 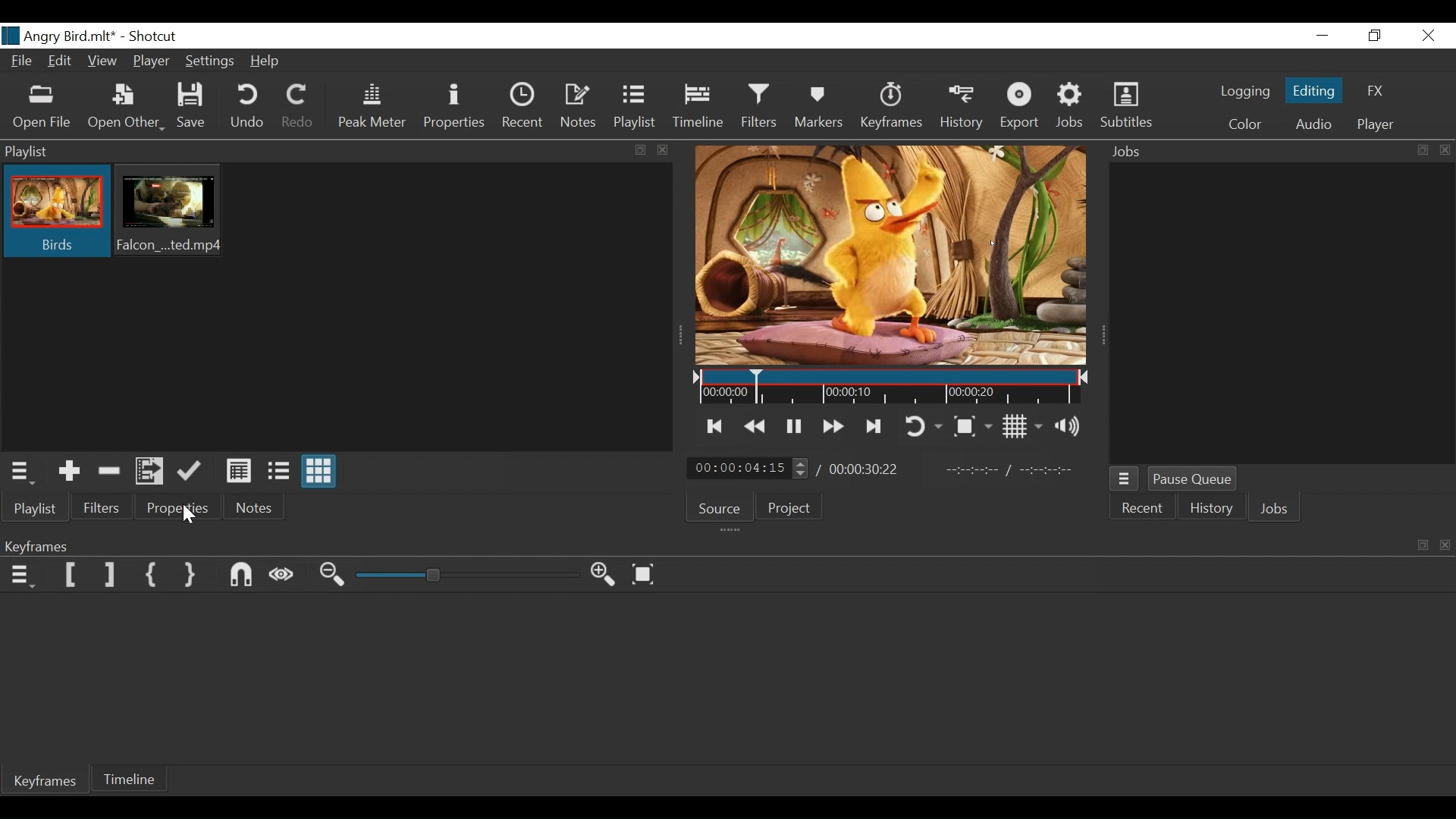 I want to click on Export, so click(x=1018, y=108).